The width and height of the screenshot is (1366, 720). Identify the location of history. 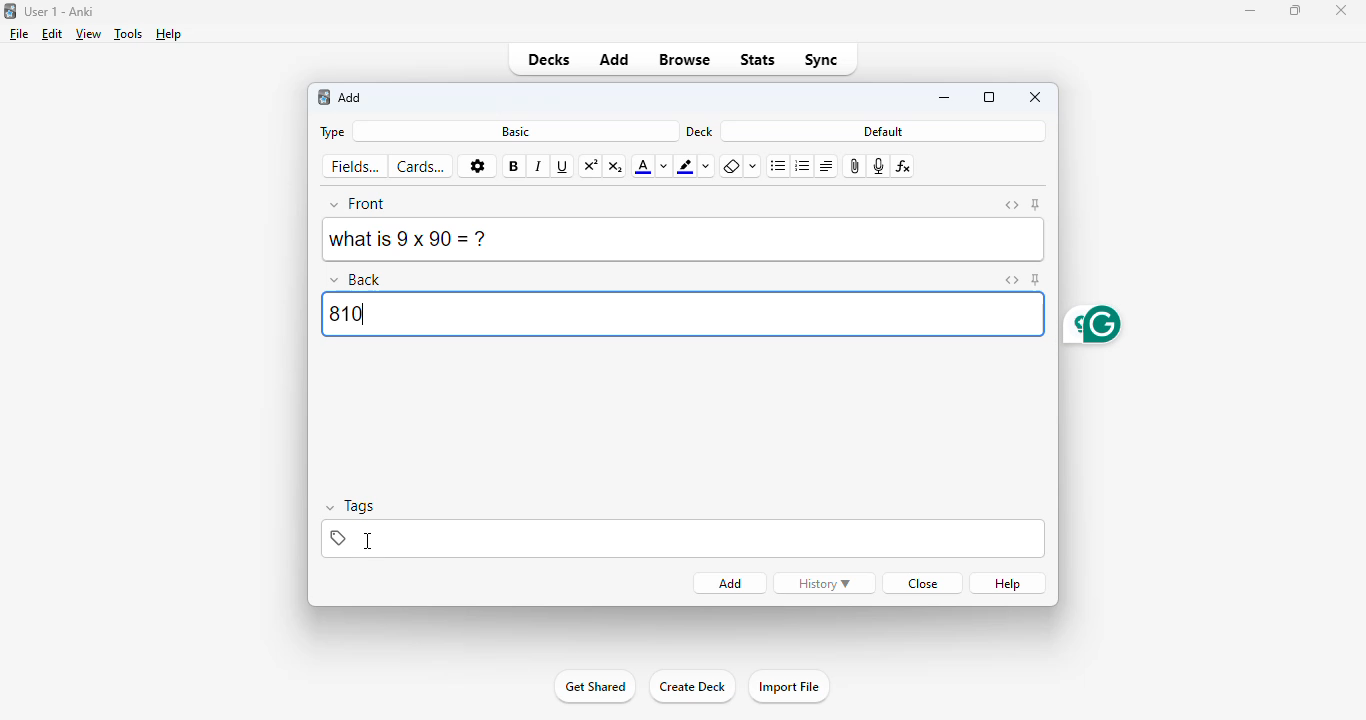
(824, 583).